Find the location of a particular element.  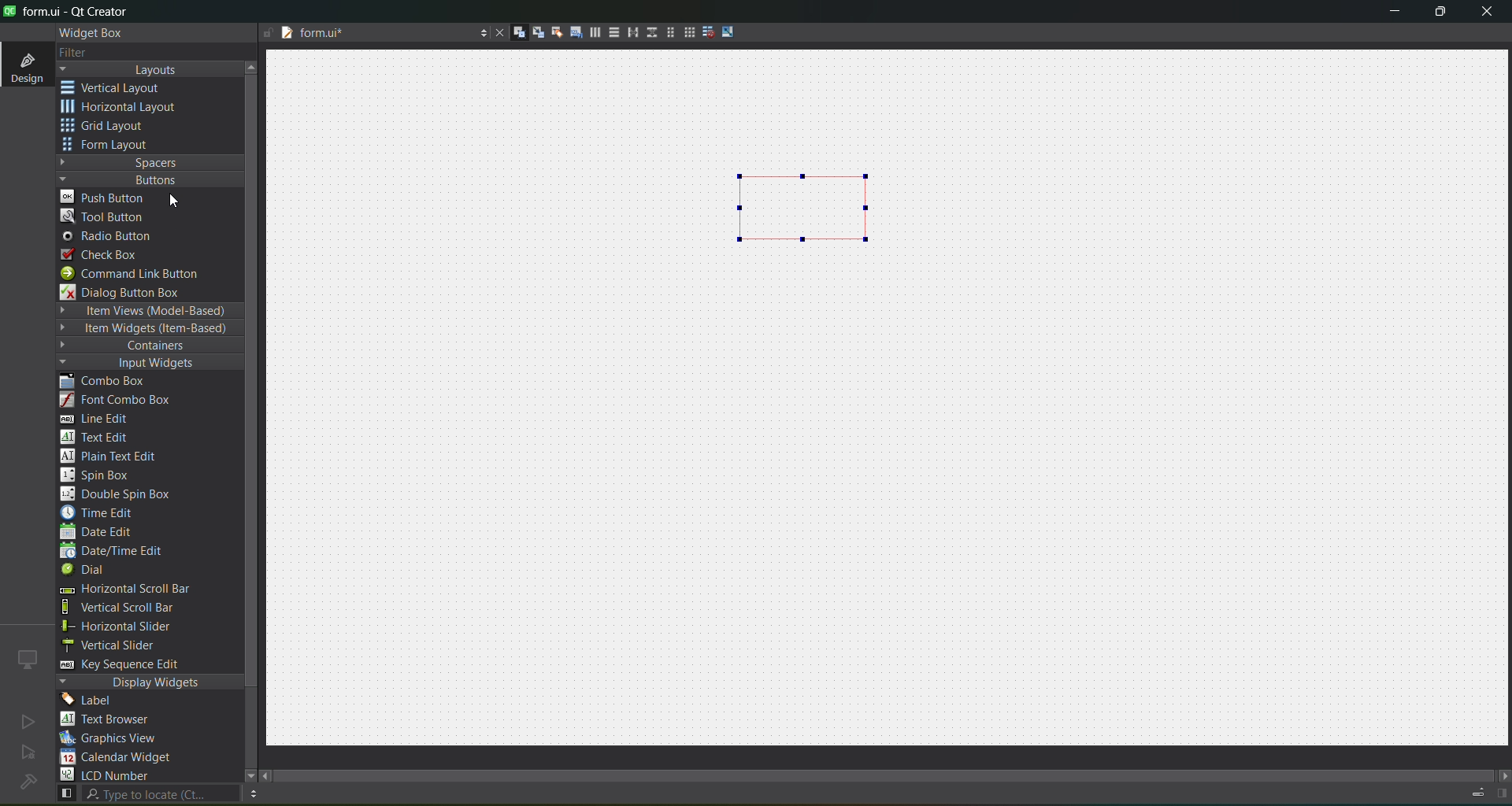

item widgets is located at coordinates (146, 329).